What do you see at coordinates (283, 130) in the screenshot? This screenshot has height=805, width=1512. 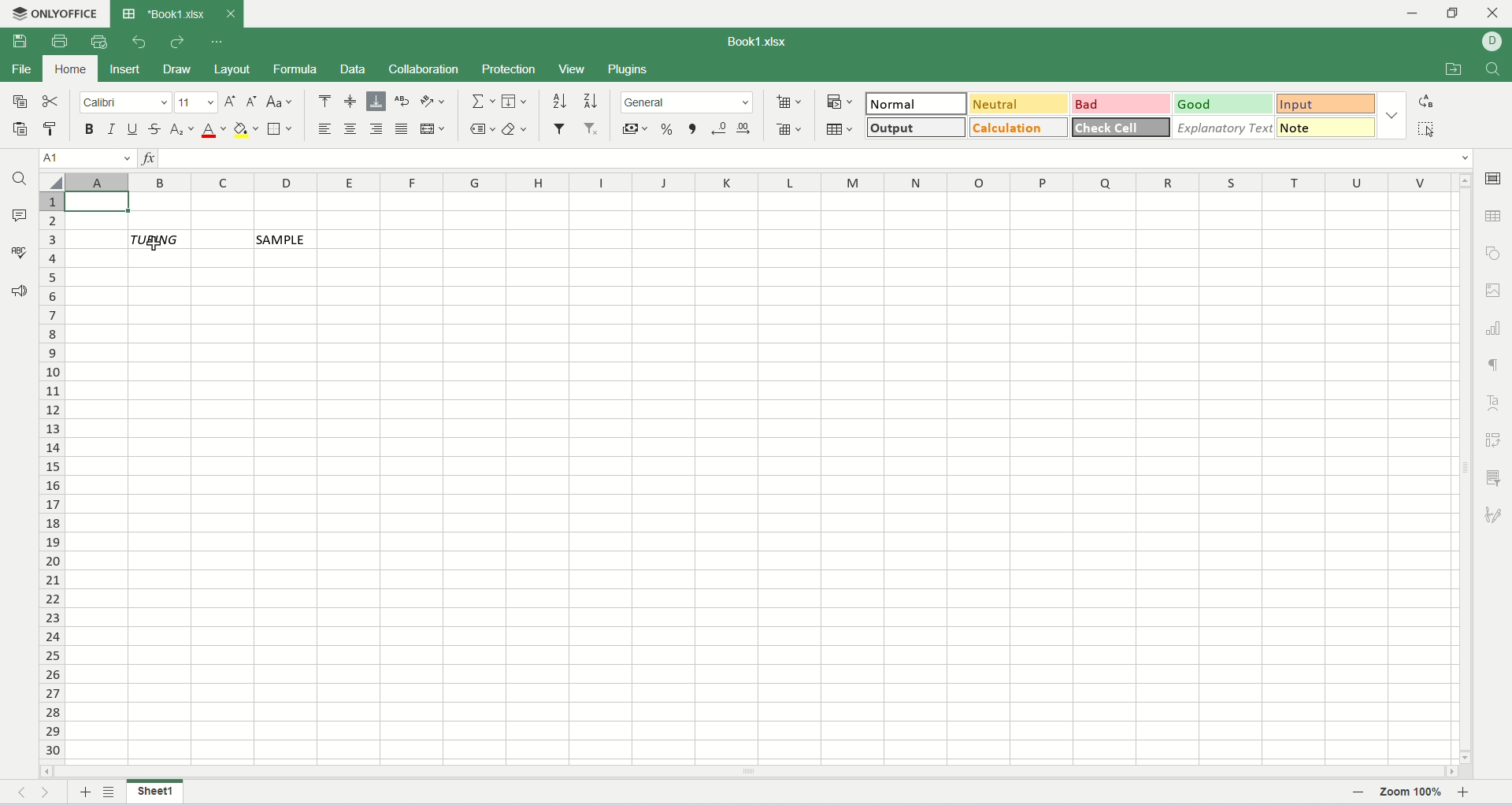 I see `border` at bounding box center [283, 130].